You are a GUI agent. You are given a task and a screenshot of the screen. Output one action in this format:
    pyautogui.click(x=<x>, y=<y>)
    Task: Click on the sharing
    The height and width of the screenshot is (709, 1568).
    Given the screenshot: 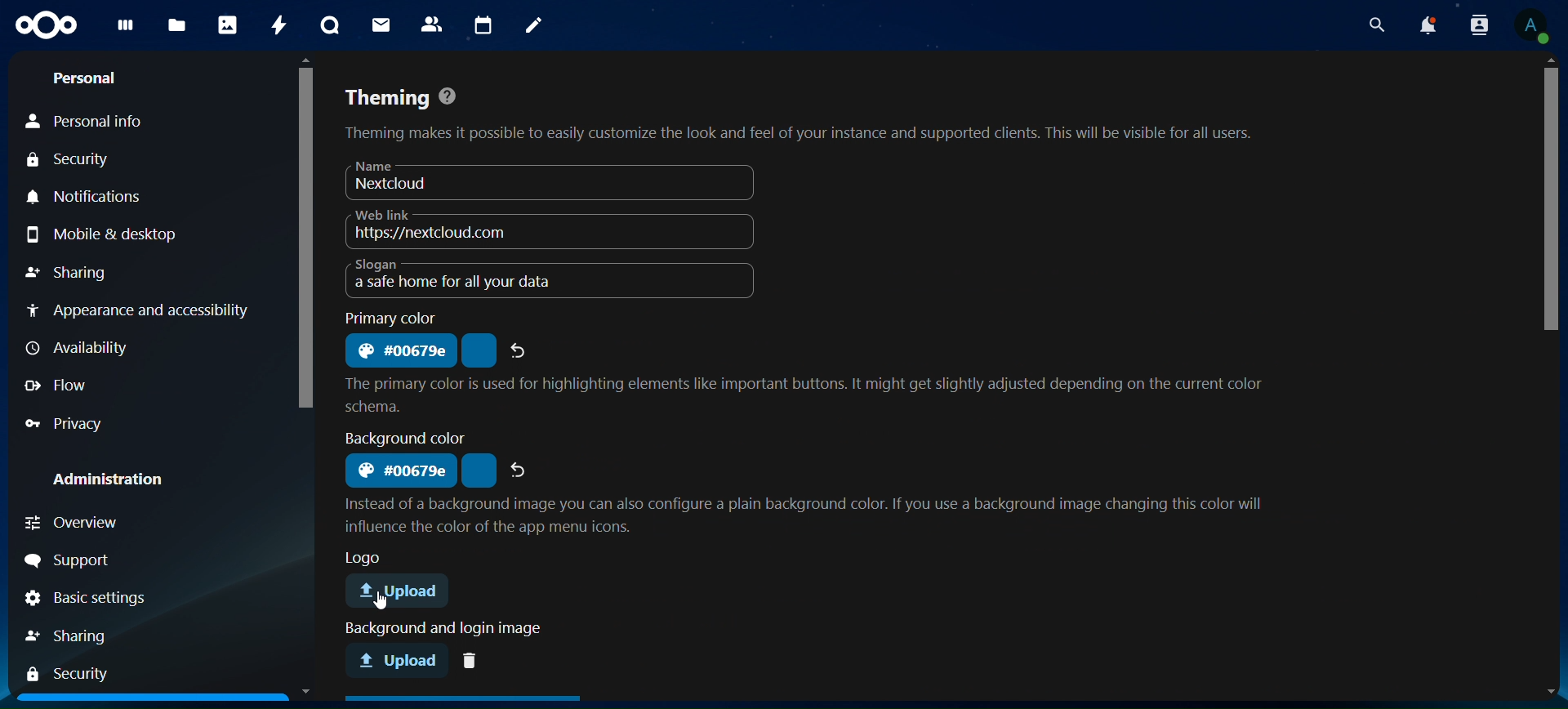 What is the action you would take?
    pyautogui.click(x=80, y=635)
    